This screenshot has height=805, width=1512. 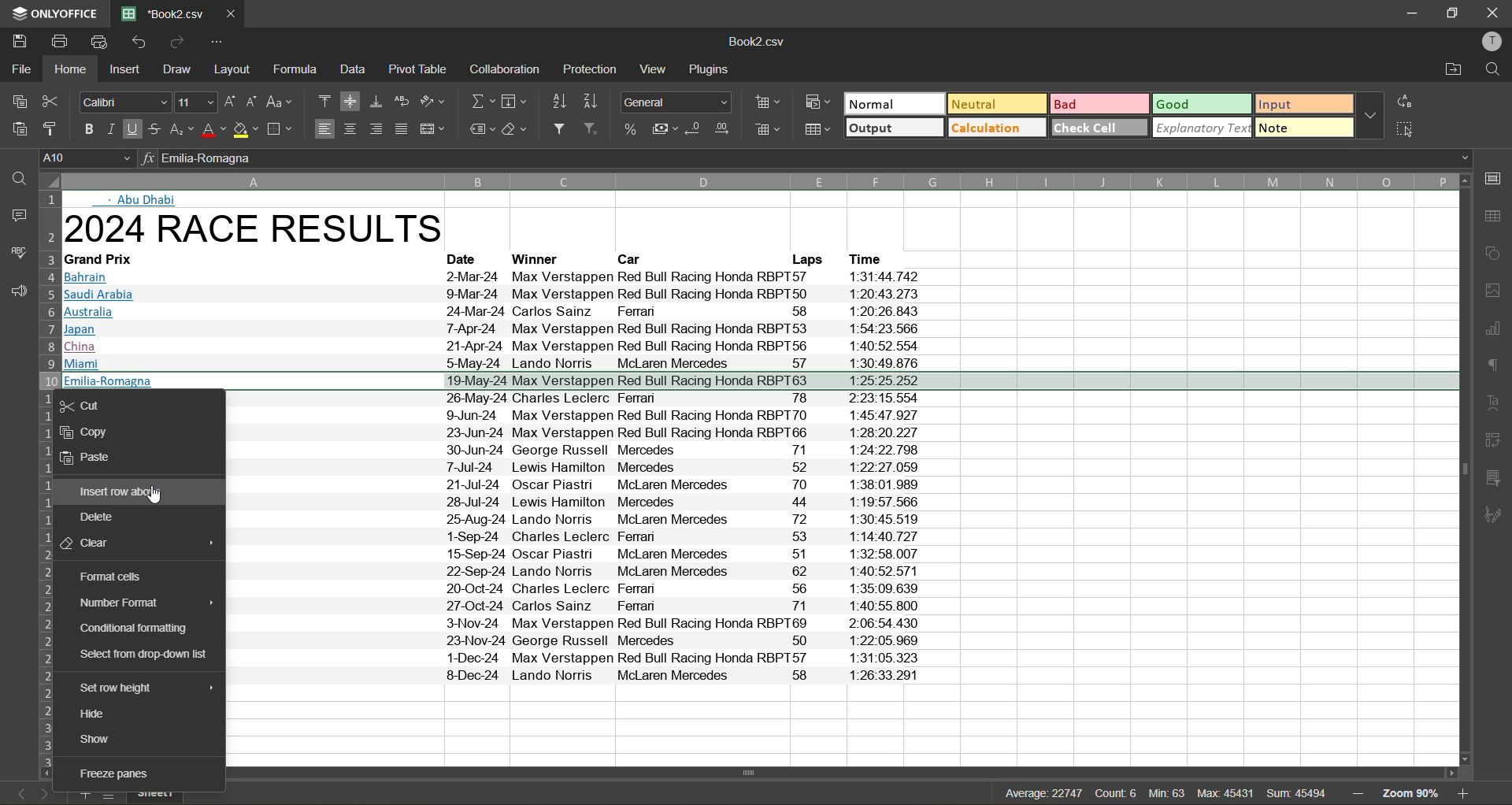 I want to click on Austria 30-Jun-24 George Russell Mercedes 71 1:24:22.798, so click(x=576, y=451).